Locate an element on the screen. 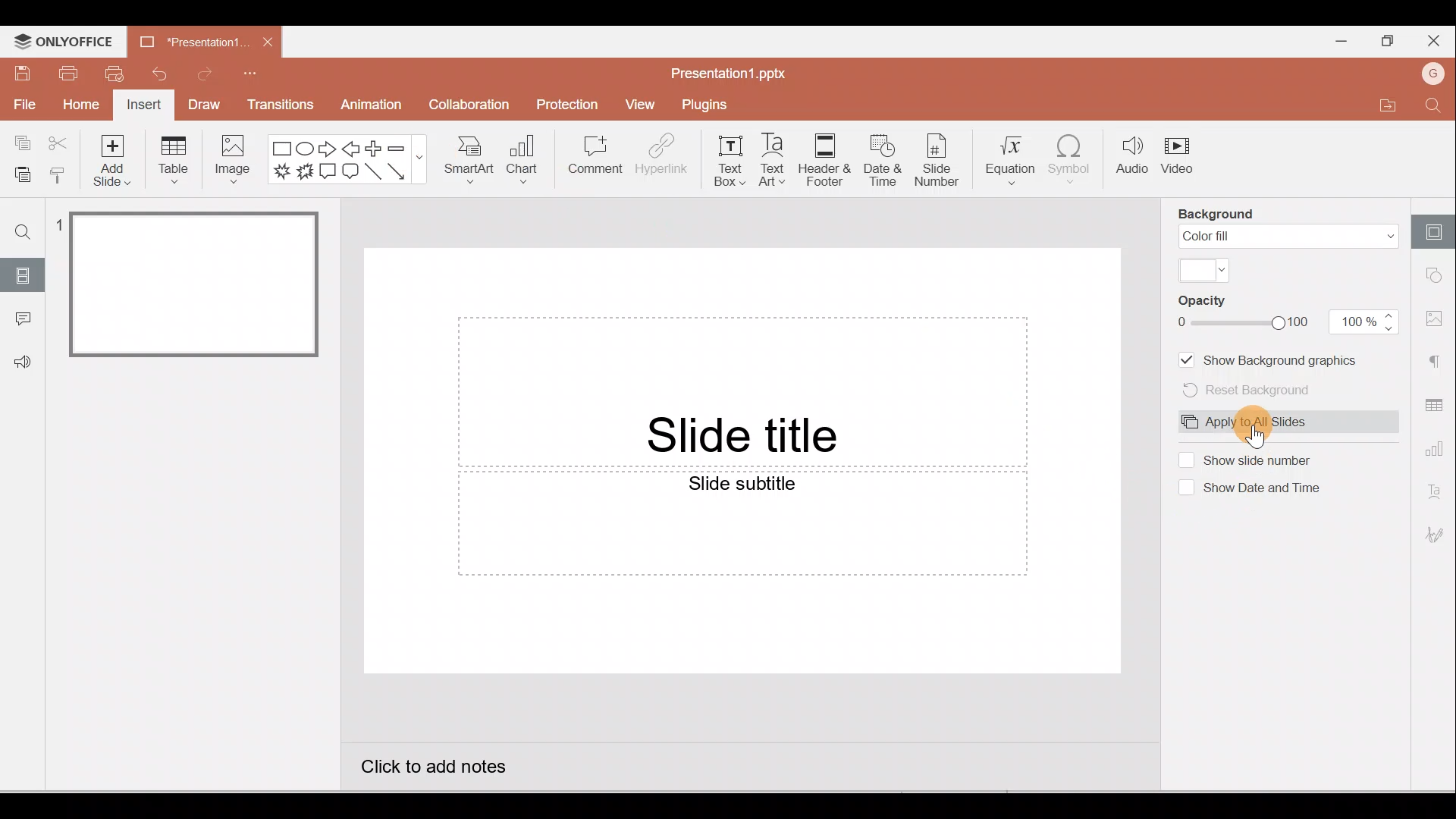 Image resolution: width=1456 pixels, height=819 pixels. Master slide 1 is located at coordinates (196, 283).